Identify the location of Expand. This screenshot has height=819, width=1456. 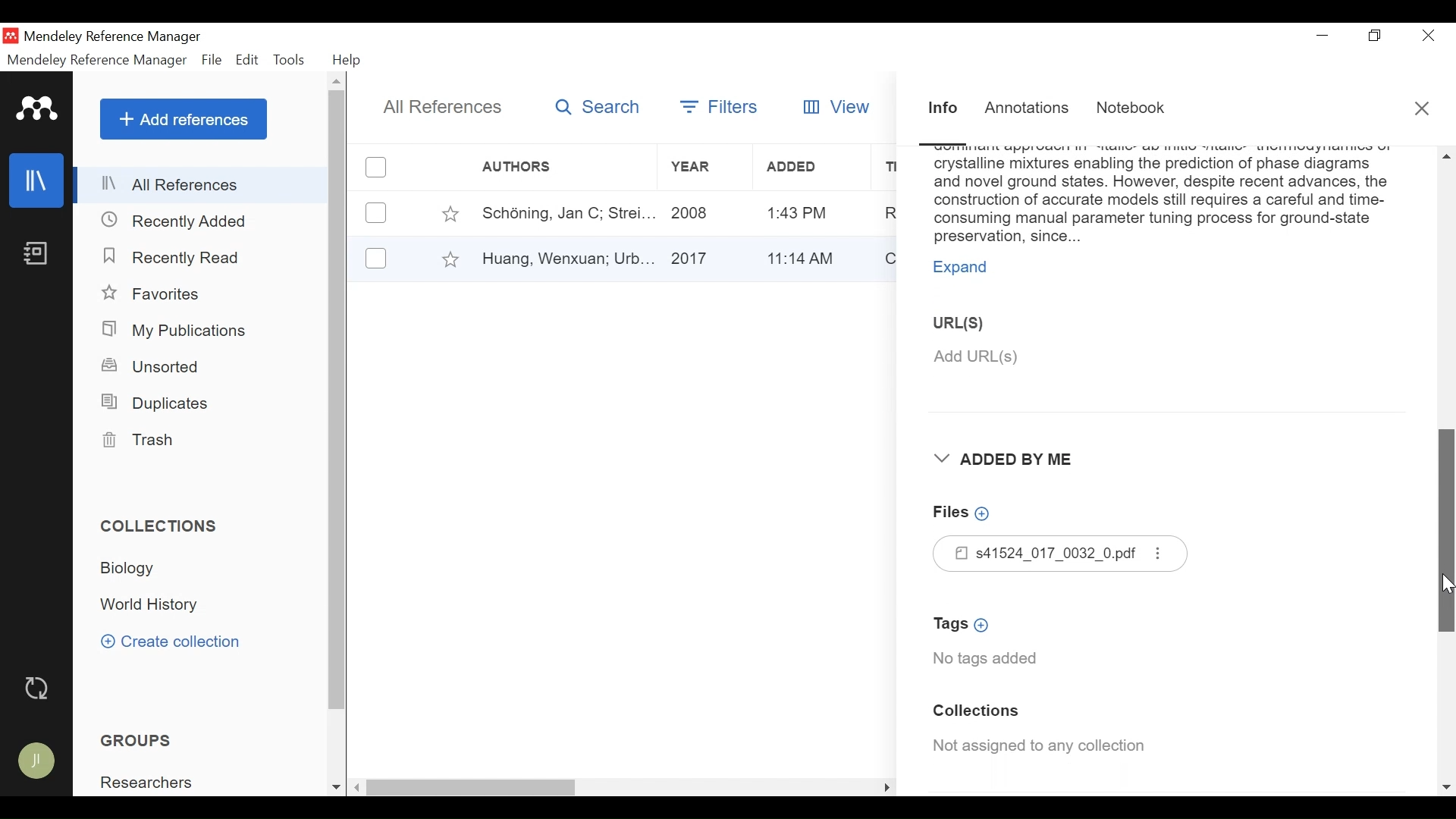
(966, 269).